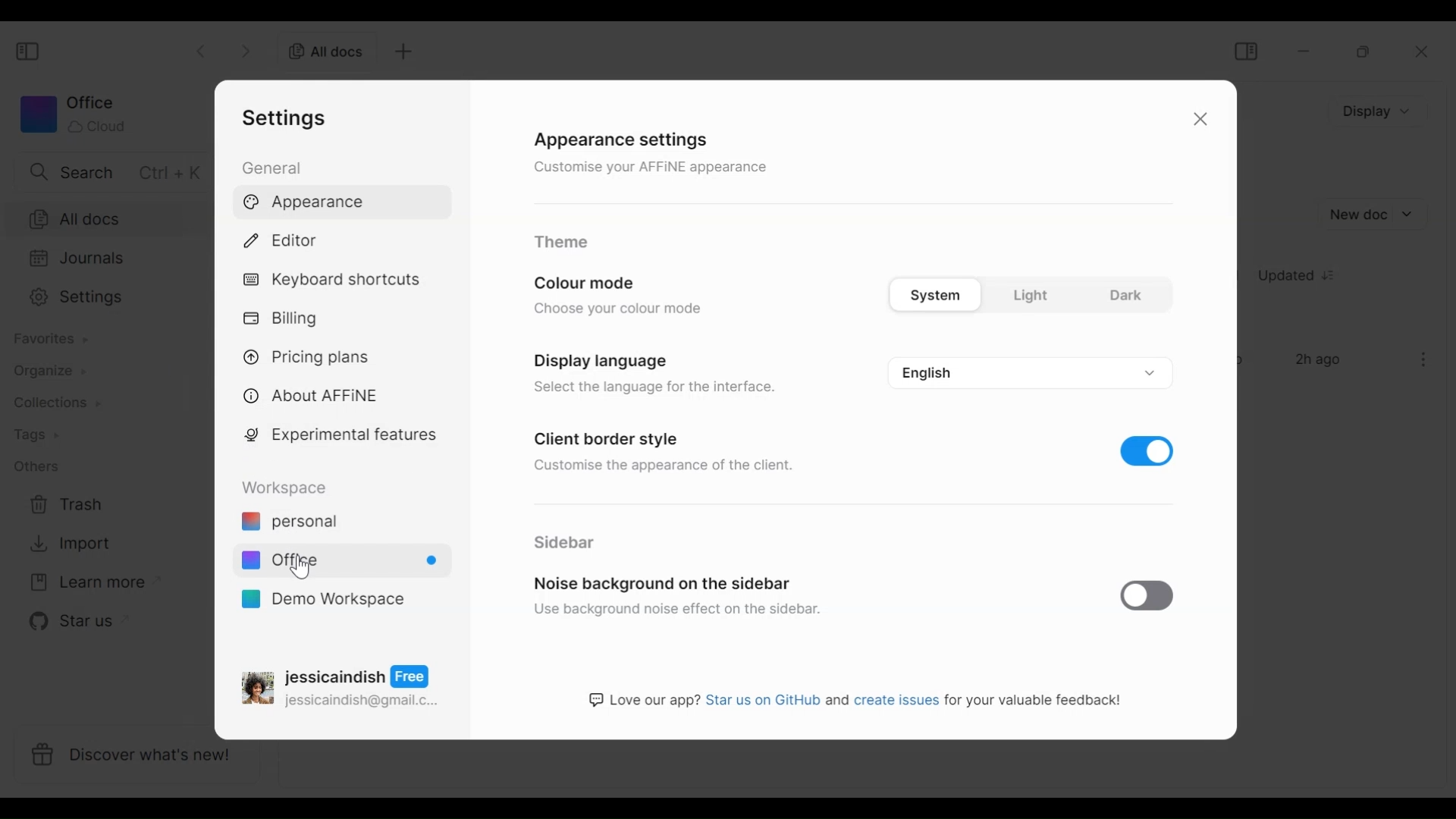 The width and height of the screenshot is (1456, 819). Describe the element at coordinates (592, 281) in the screenshot. I see `Colour mode` at that location.